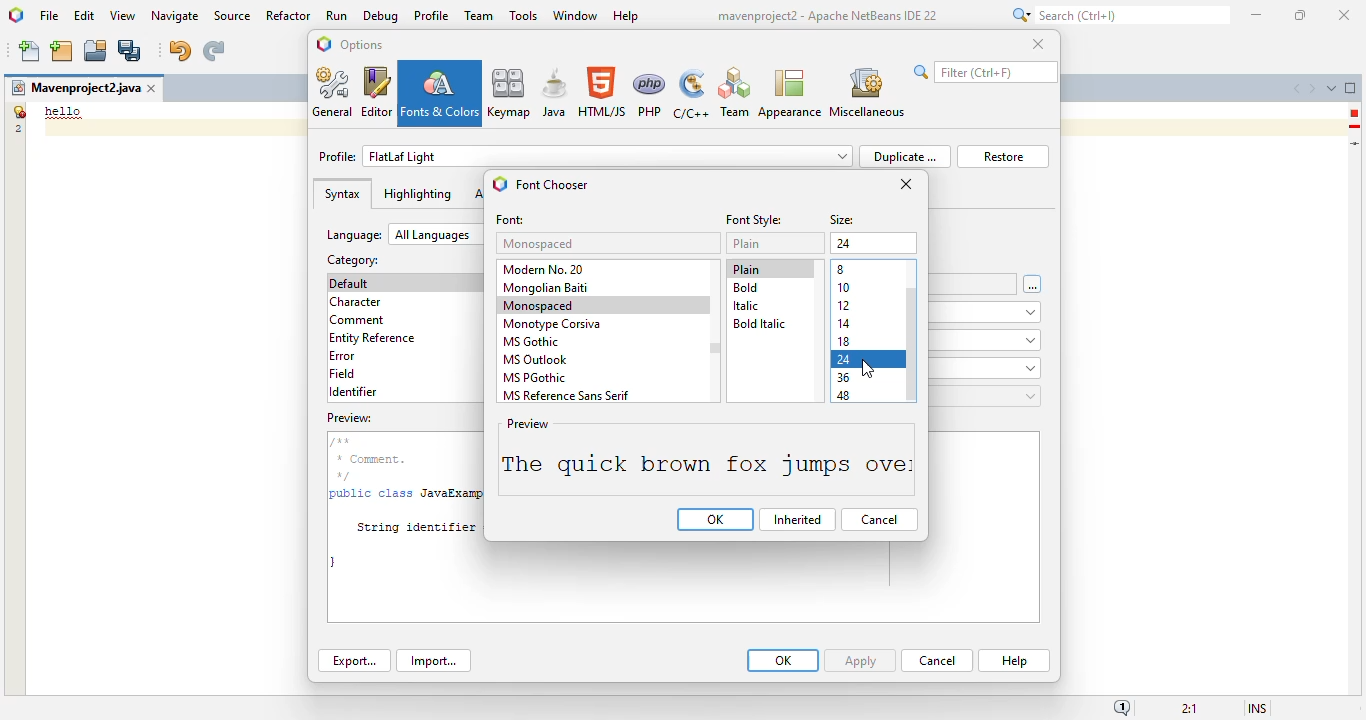 This screenshot has width=1366, height=720. I want to click on Team, so click(734, 93).